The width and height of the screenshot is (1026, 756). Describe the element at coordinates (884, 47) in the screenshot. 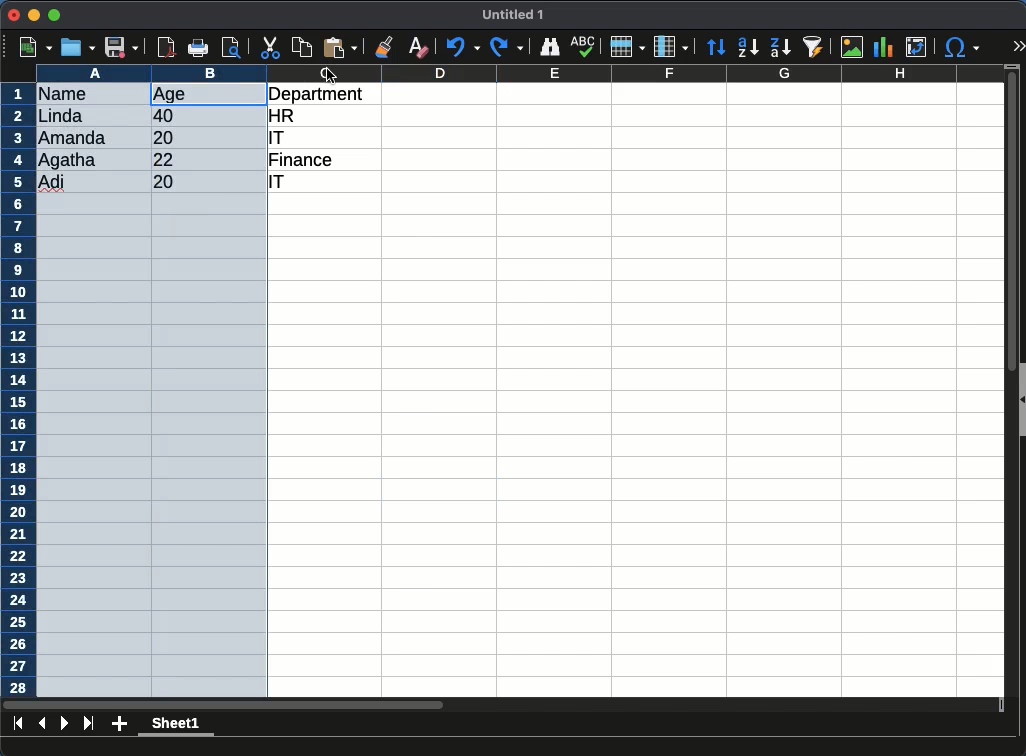

I see `chart` at that location.